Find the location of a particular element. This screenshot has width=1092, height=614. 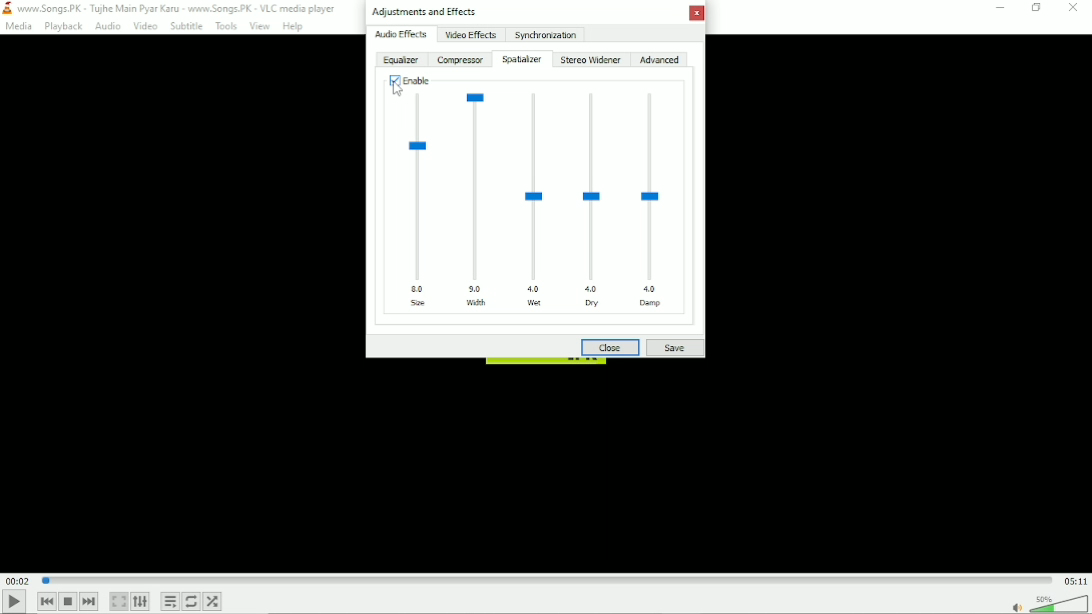

Dry is located at coordinates (594, 200).